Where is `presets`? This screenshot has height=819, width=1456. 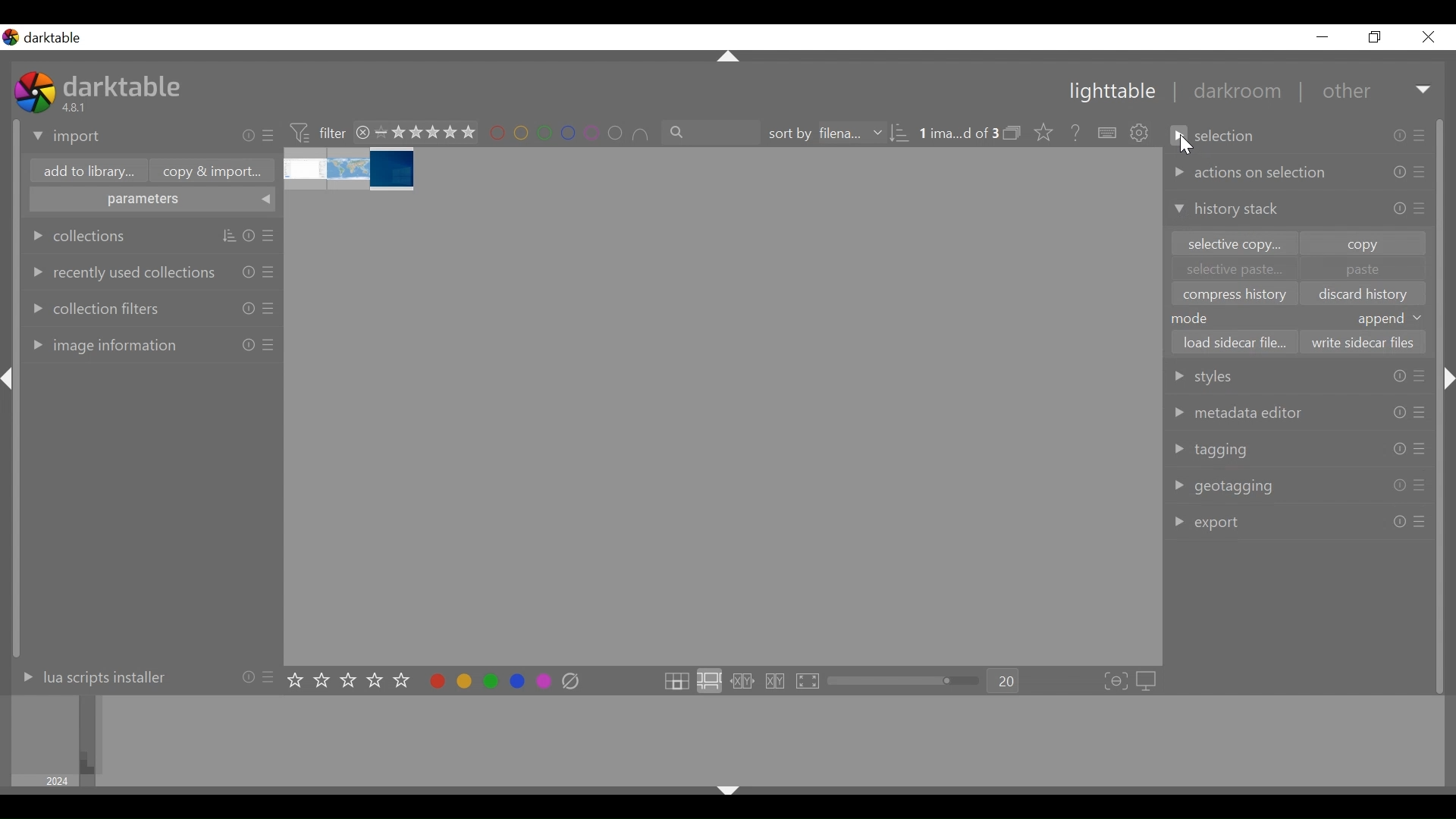 presets is located at coordinates (268, 345).